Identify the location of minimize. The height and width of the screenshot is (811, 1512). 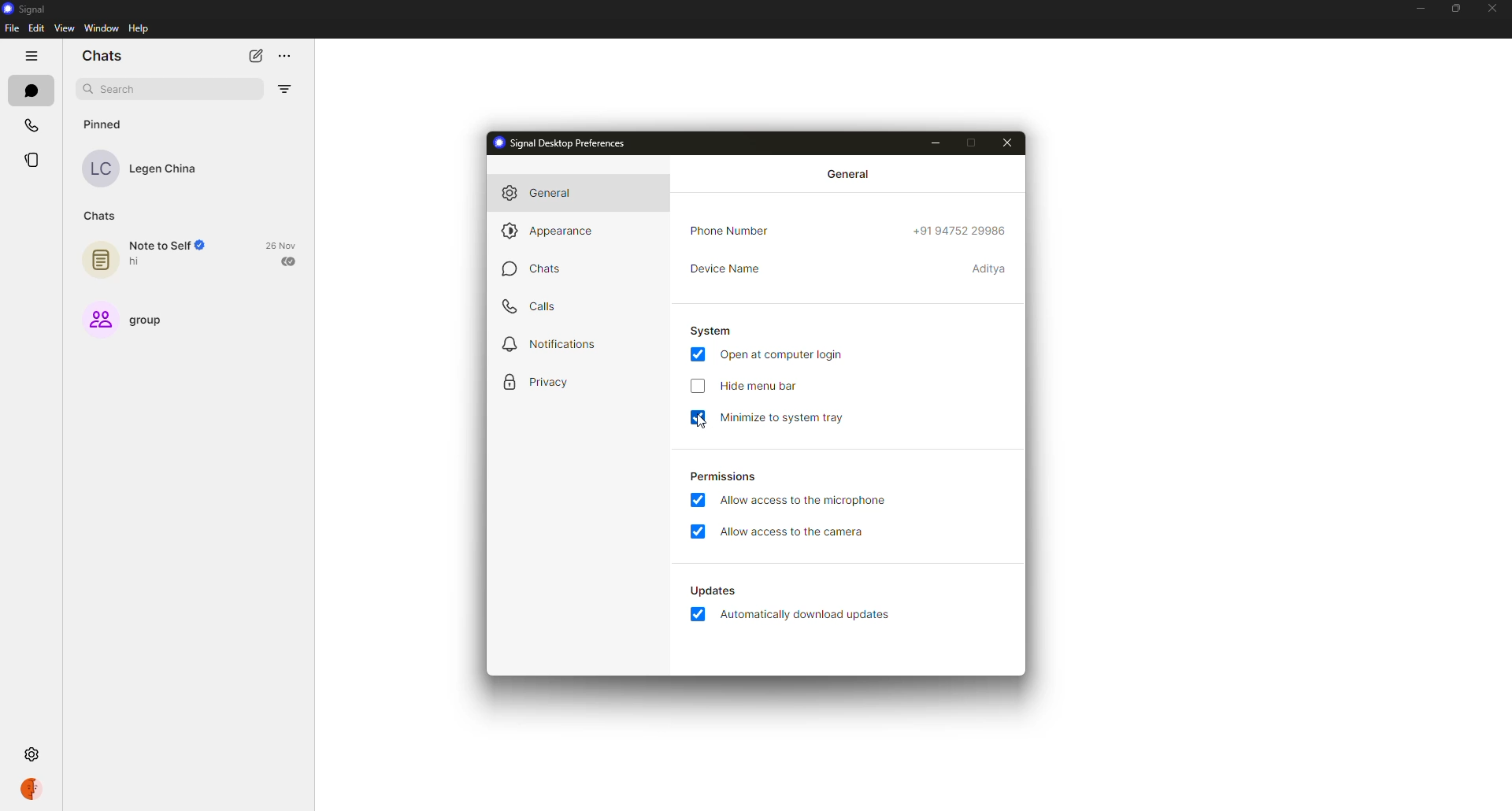
(1420, 8).